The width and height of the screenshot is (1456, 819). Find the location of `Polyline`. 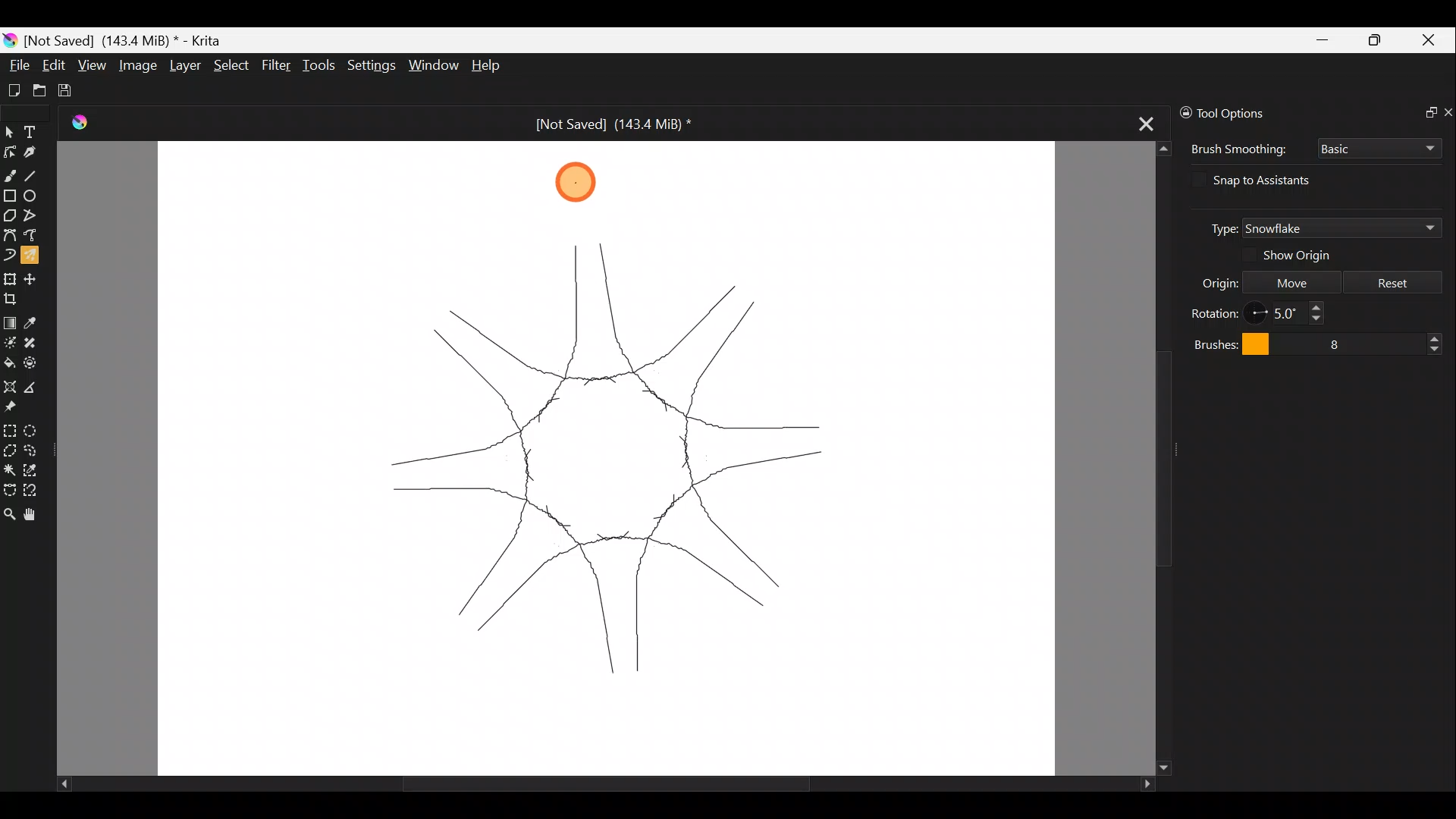

Polyline is located at coordinates (30, 216).